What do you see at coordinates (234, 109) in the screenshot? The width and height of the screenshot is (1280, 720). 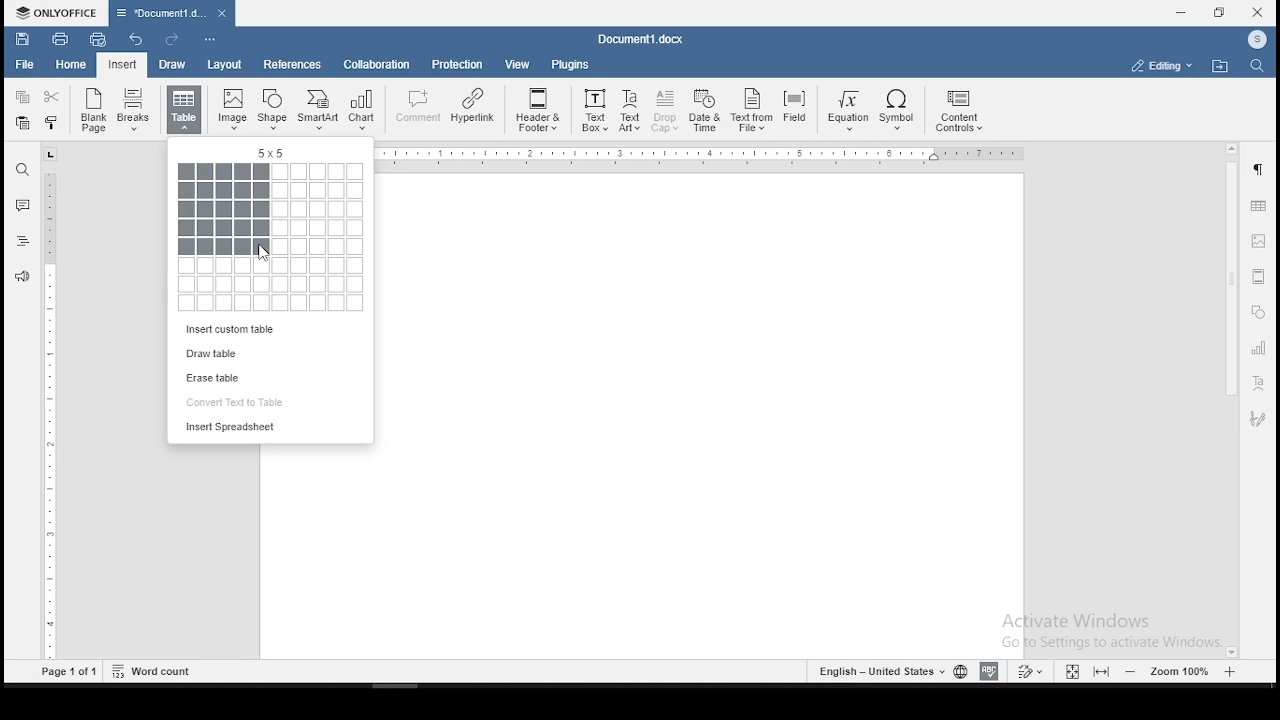 I see `Image` at bounding box center [234, 109].